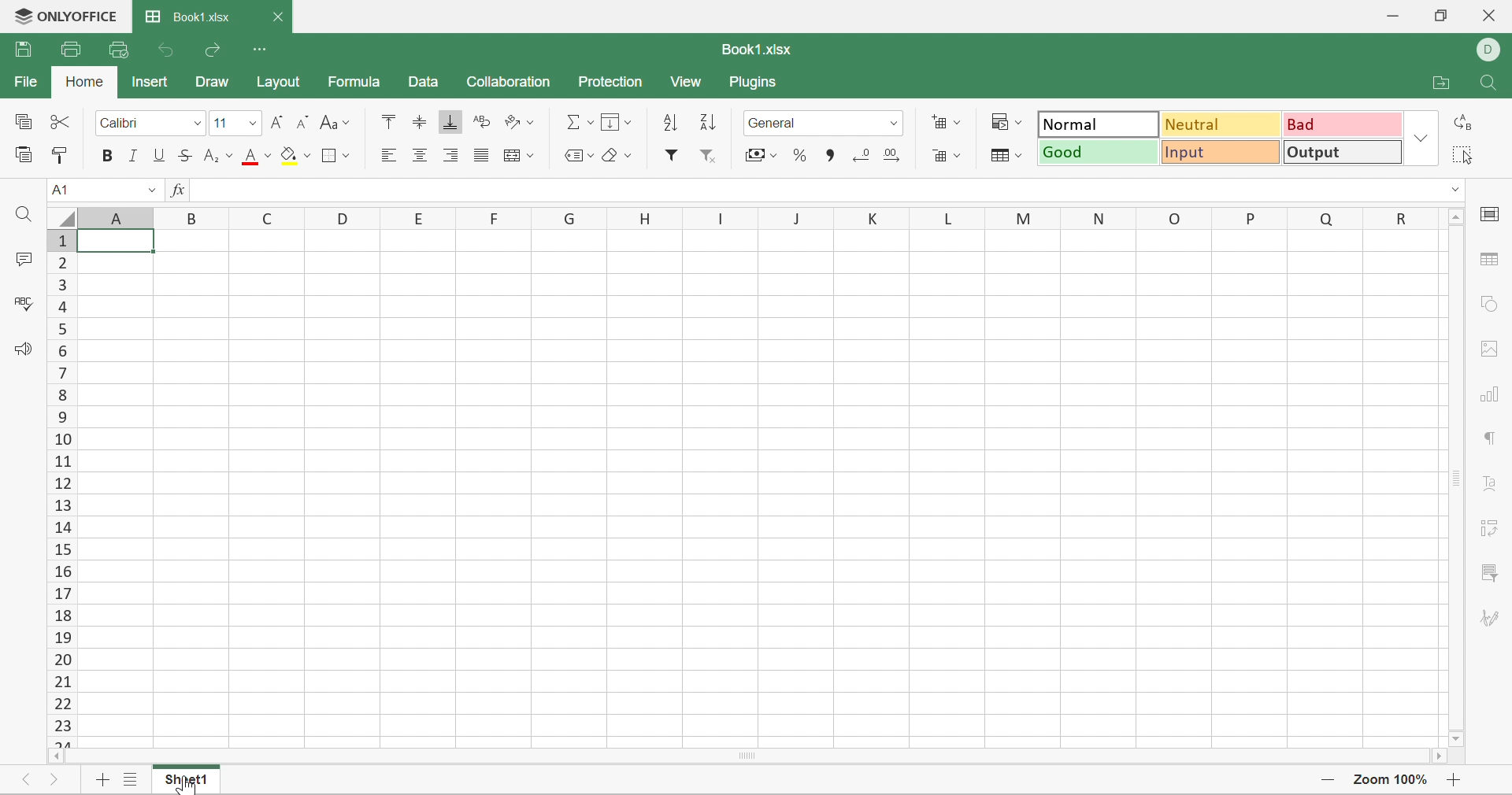 The height and width of the screenshot is (795, 1512). I want to click on R, so click(1407, 219).